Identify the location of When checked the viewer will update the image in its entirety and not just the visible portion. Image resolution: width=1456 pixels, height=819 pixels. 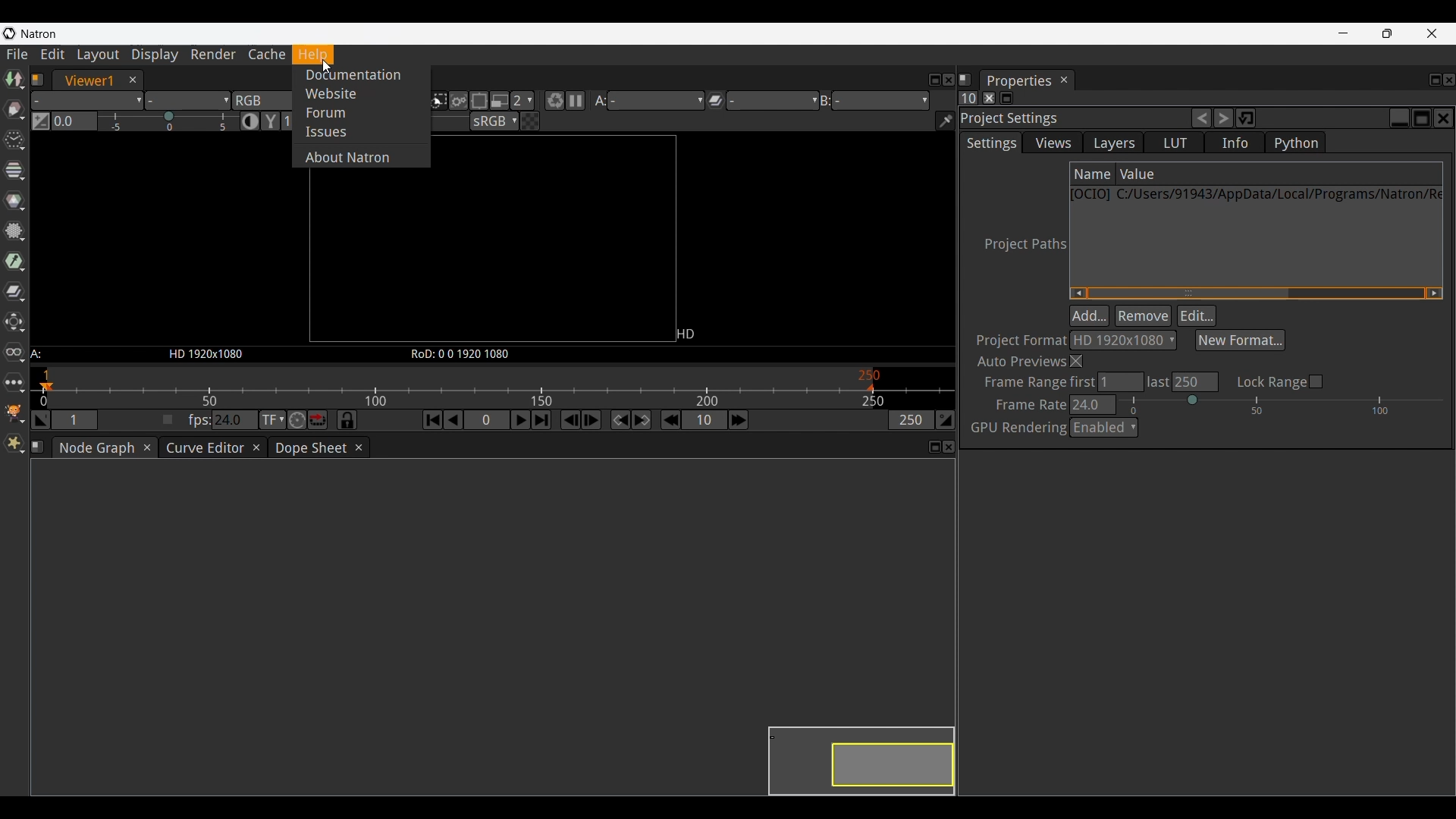
(458, 101).